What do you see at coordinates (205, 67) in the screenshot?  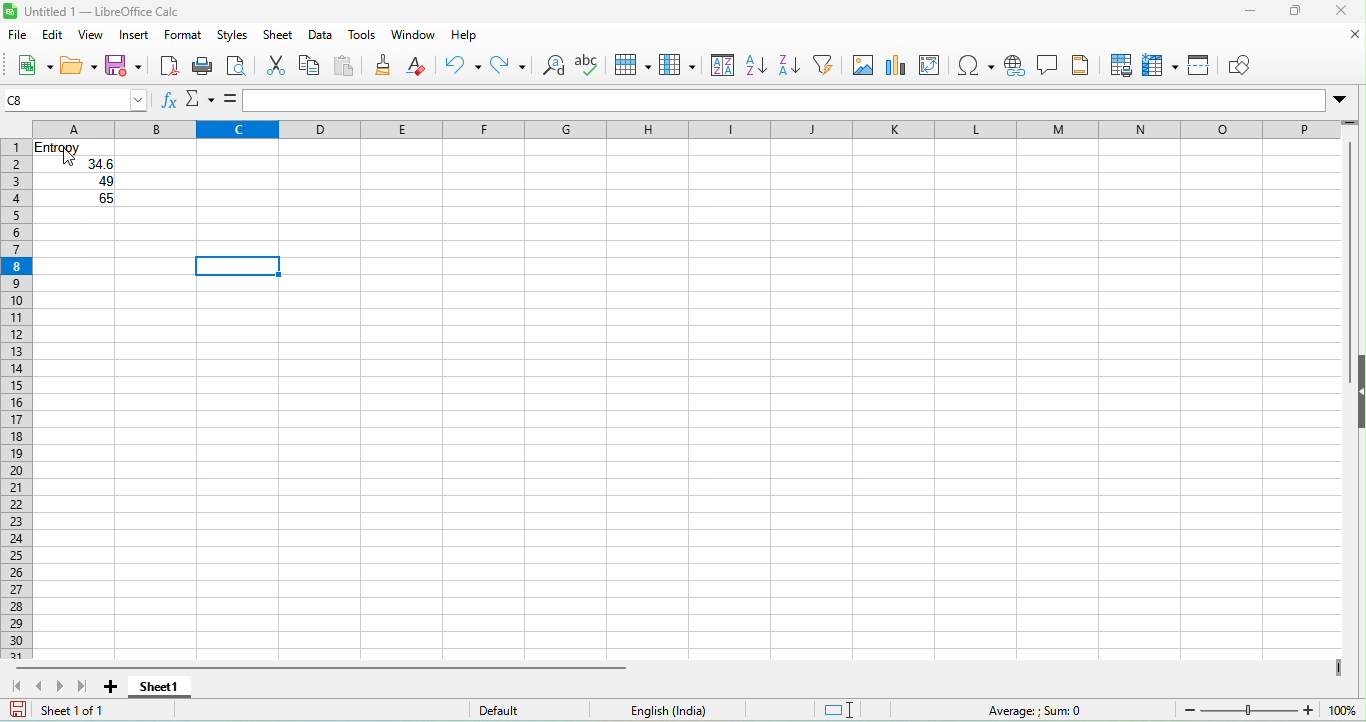 I see `print` at bounding box center [205, 67].